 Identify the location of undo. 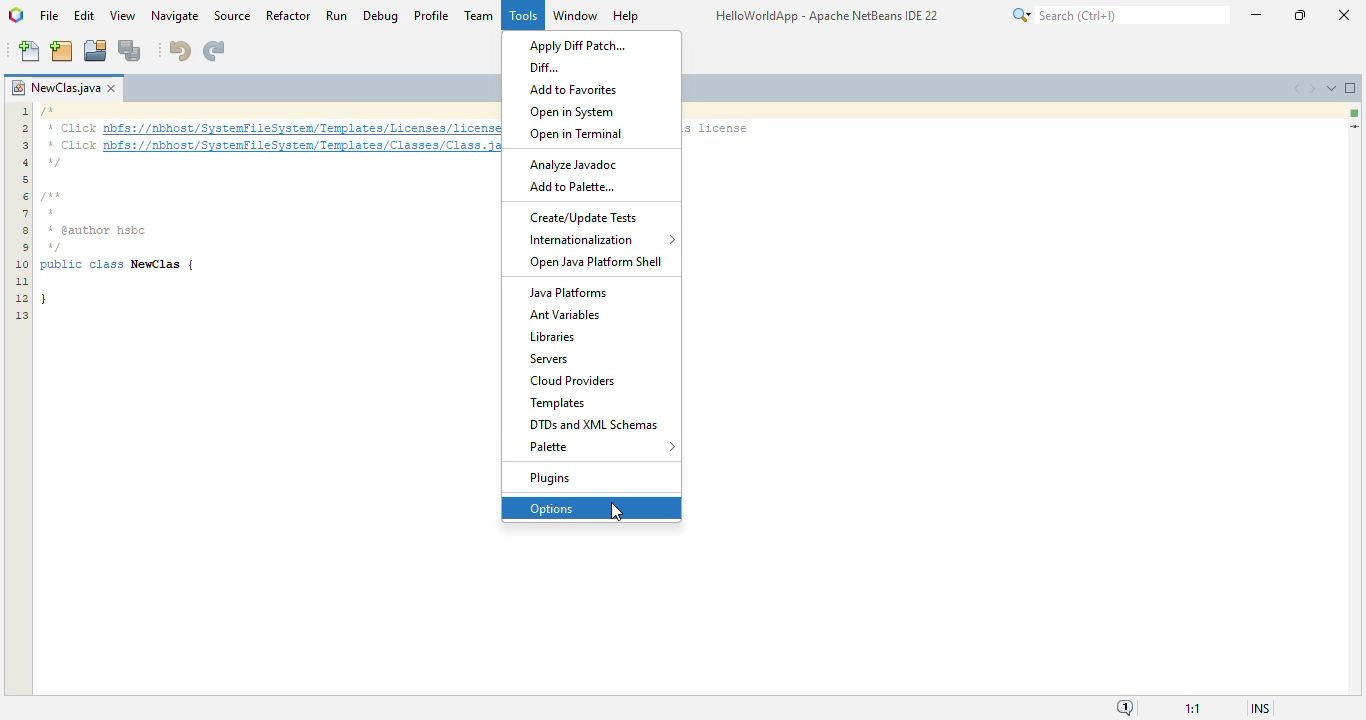
(180, 51).